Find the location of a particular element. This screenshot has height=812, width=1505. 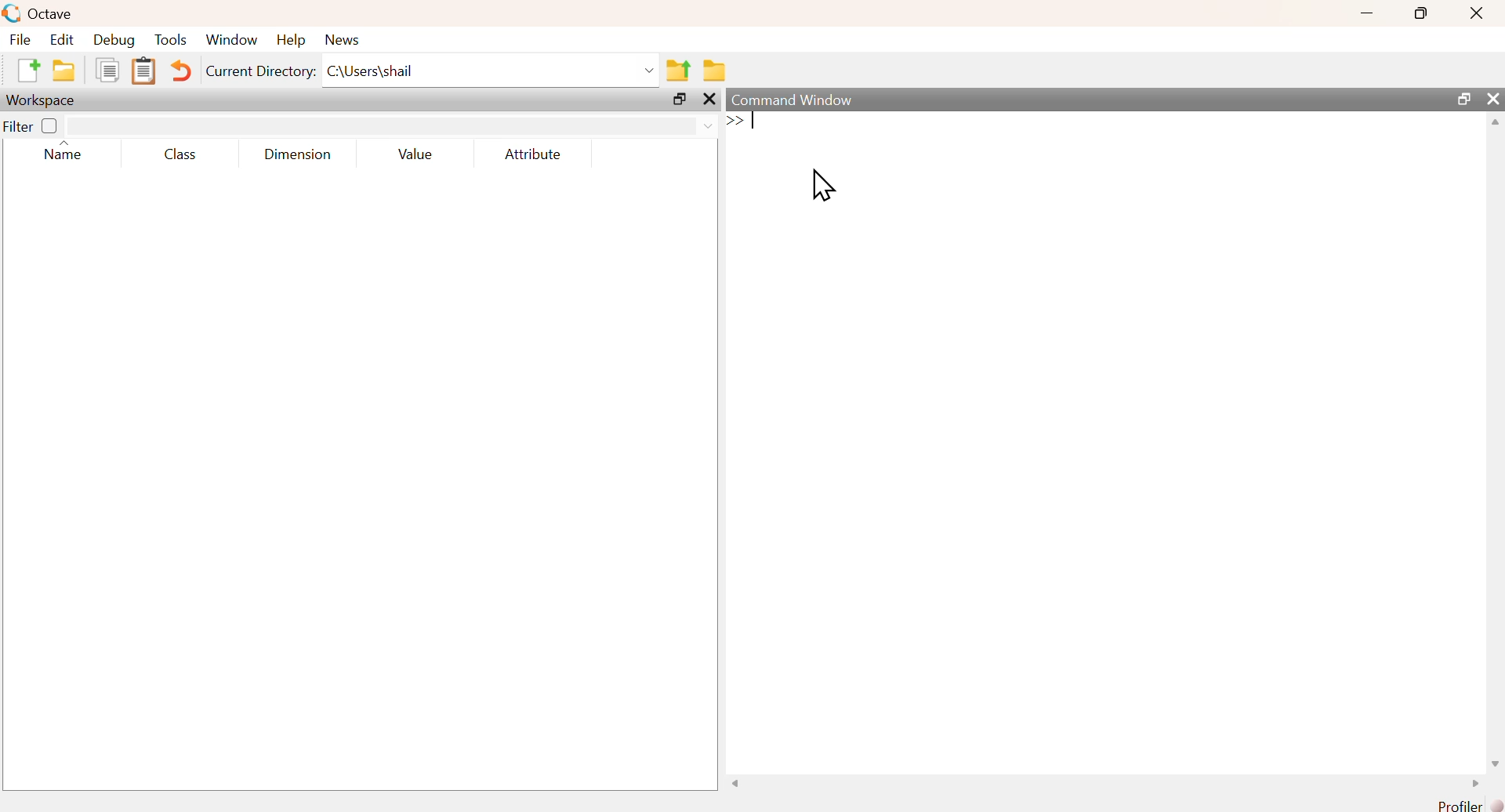

Name is located at coordinates (62, 150).